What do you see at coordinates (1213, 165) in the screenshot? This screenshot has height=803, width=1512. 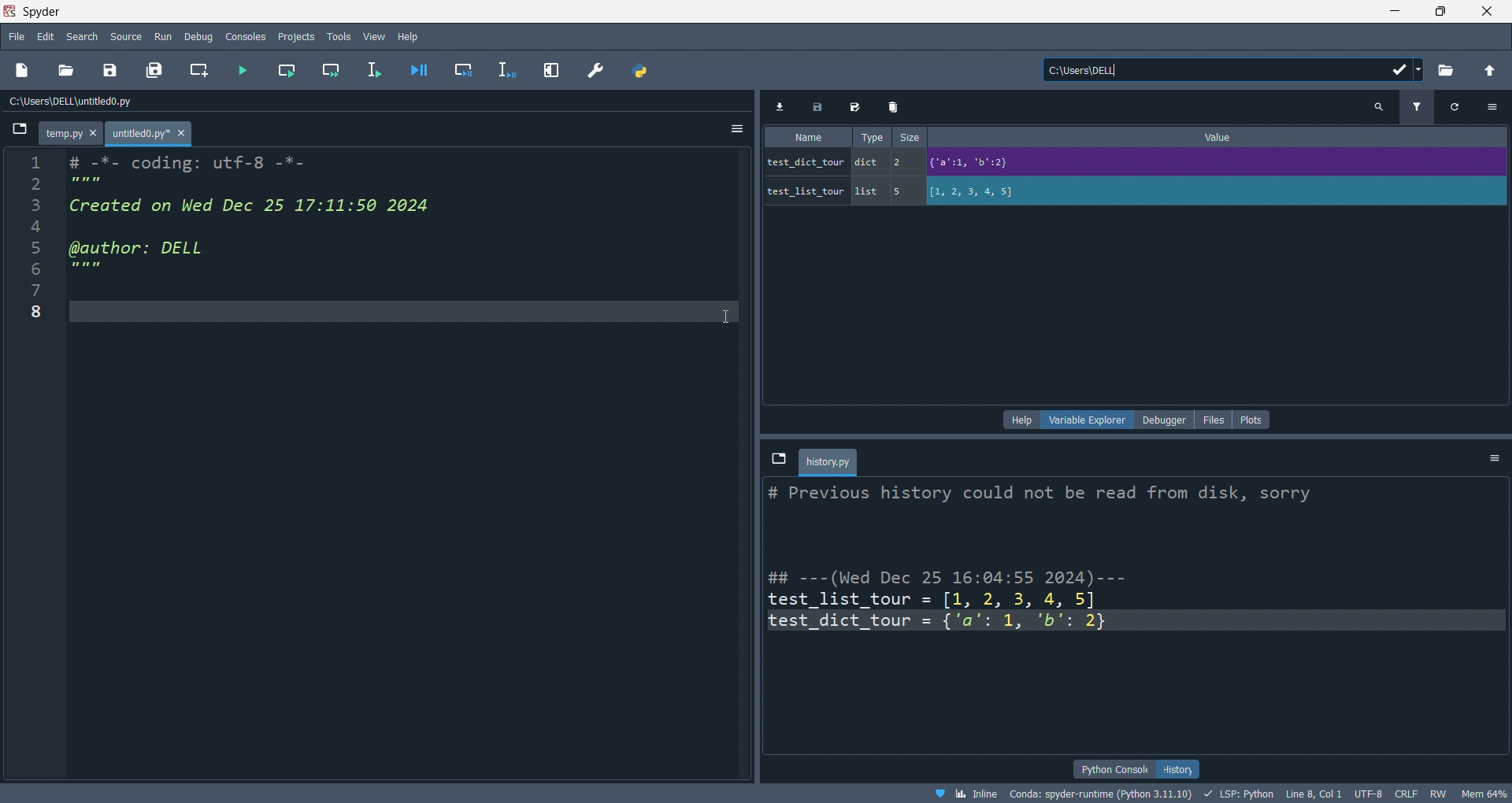 I see `variable value` at bounding box center [1213, 165].